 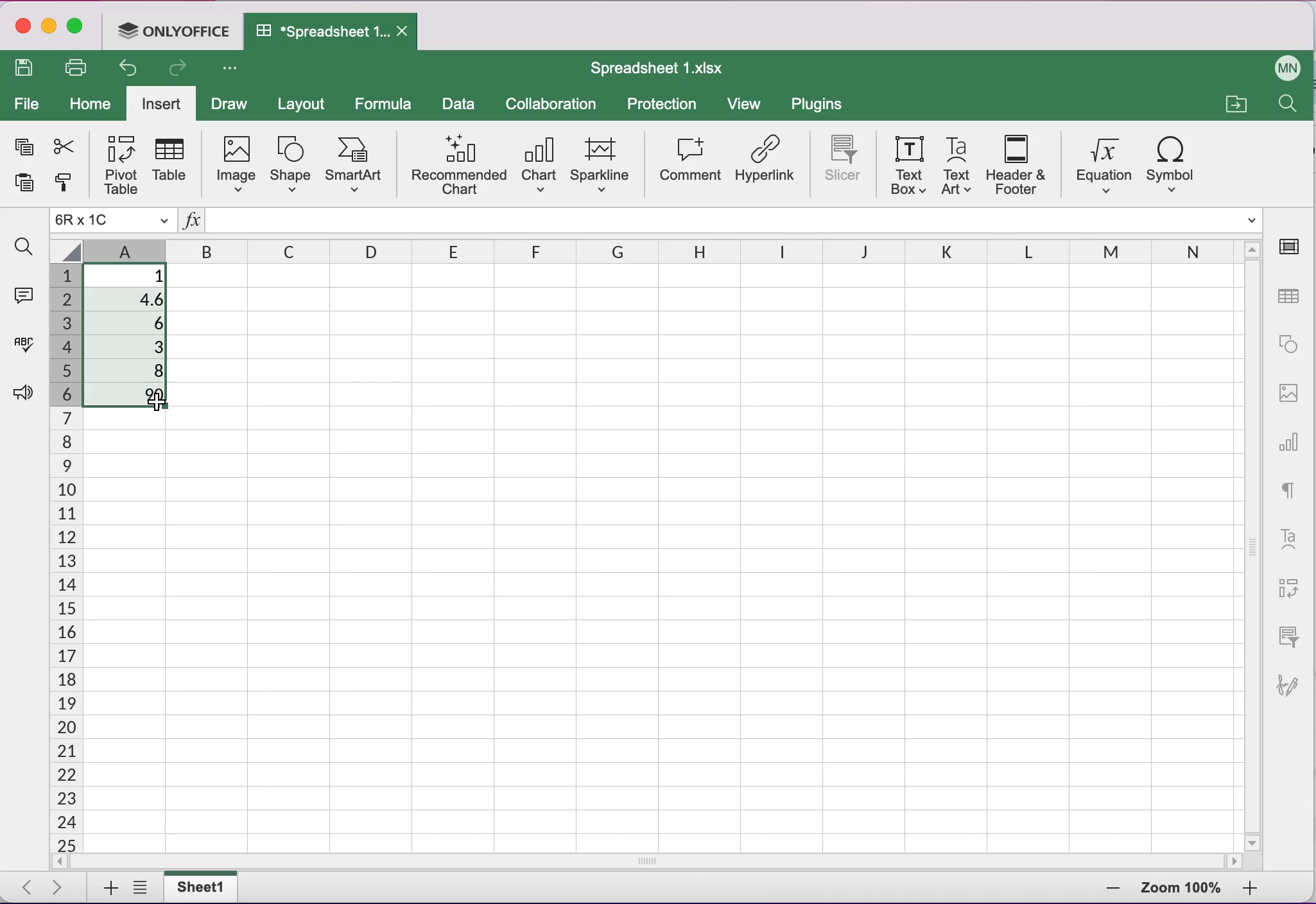 What do you see at coordinates (1252, 888) in the screenshot?
I see `zoom in` at bounding box center [1252, 888].